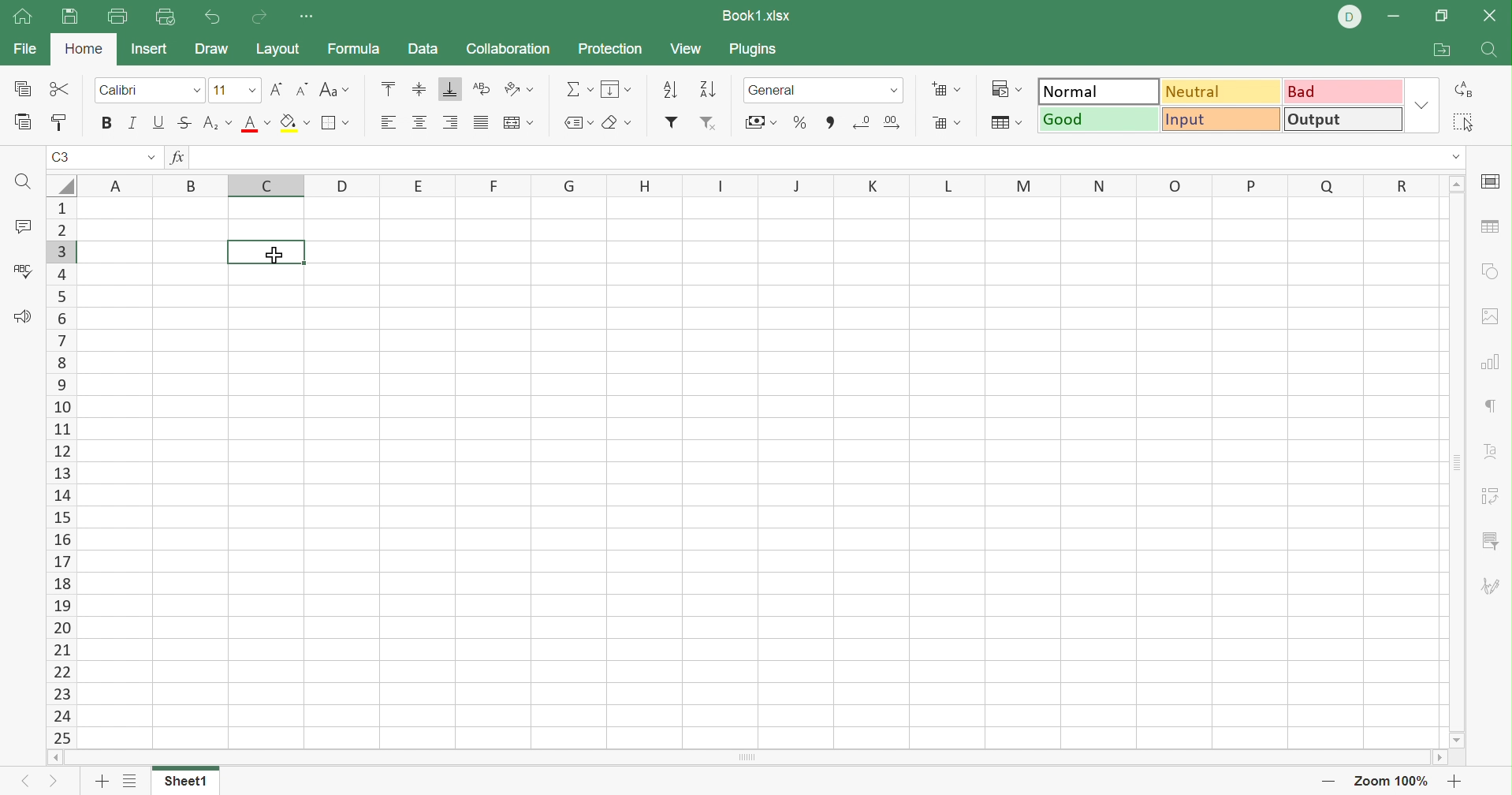 This screenshot has height=795, width=1512. I want to click on Spell Checking, so click(24, 274).